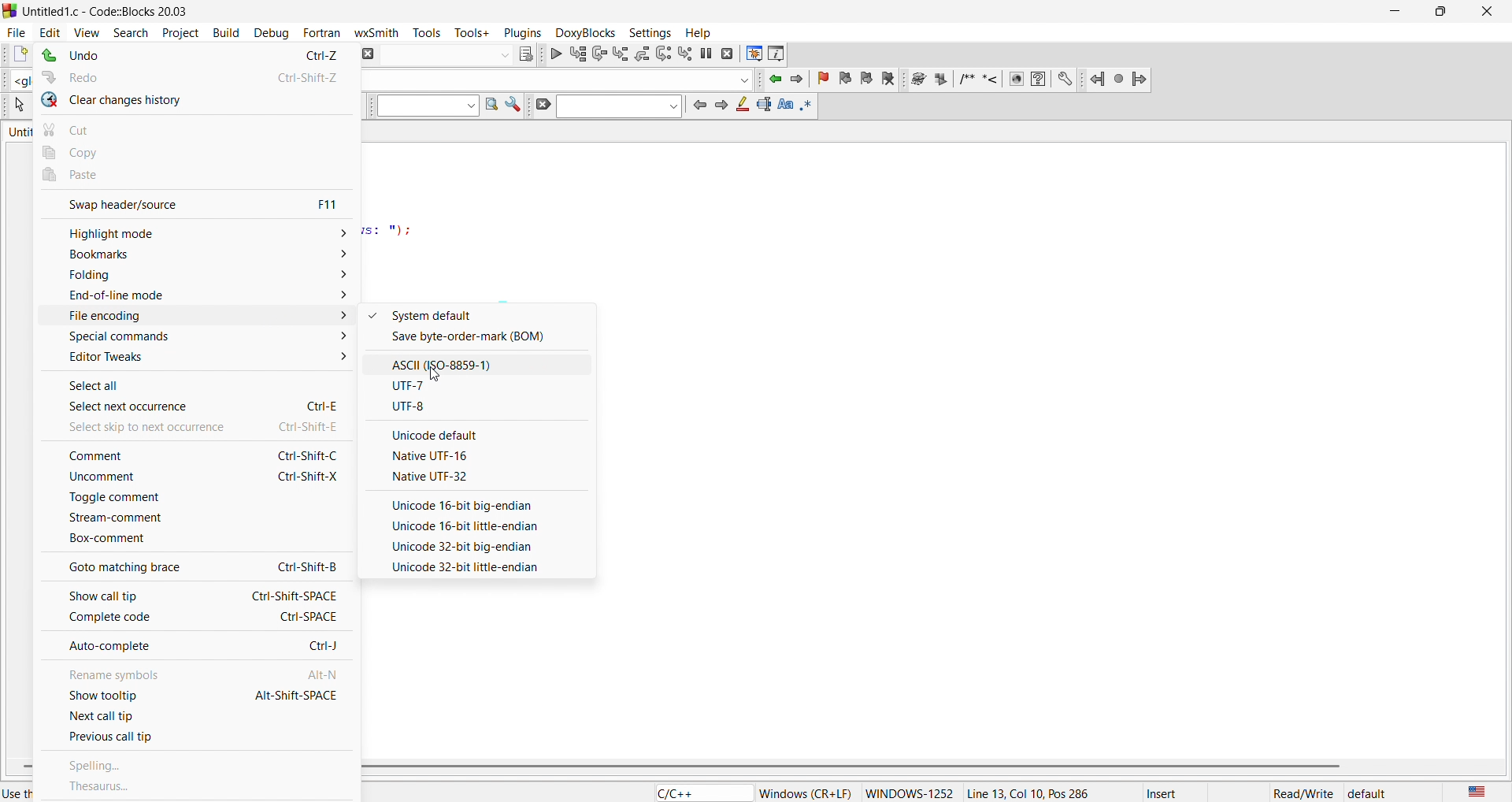  What do you see at coordinates (490, 433) in the screenshot?
I see `unicode default` at bounding box center [490, 433].